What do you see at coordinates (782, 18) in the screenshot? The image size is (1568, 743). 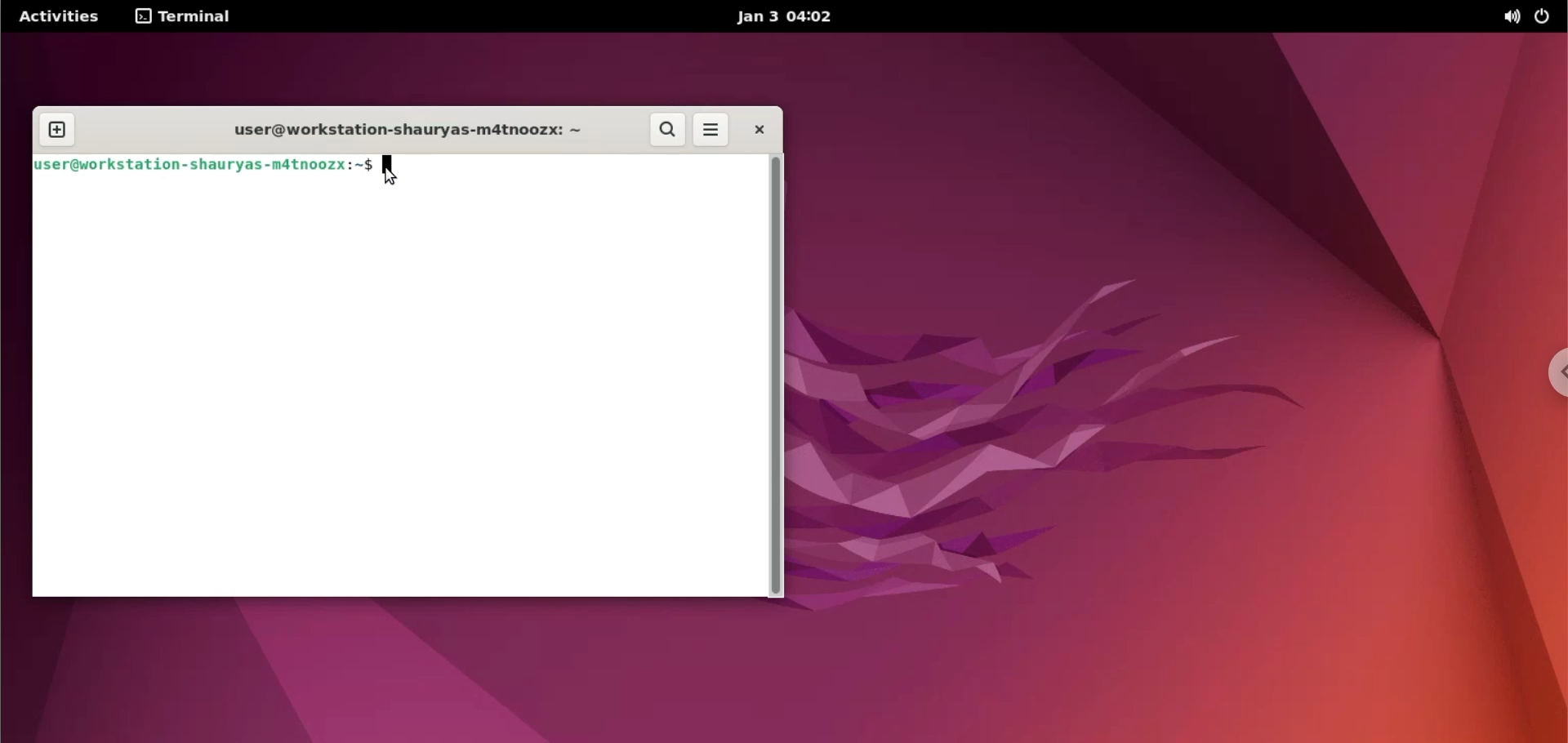 I see `Jan 3 04:02` at bounding box center [782, 18].